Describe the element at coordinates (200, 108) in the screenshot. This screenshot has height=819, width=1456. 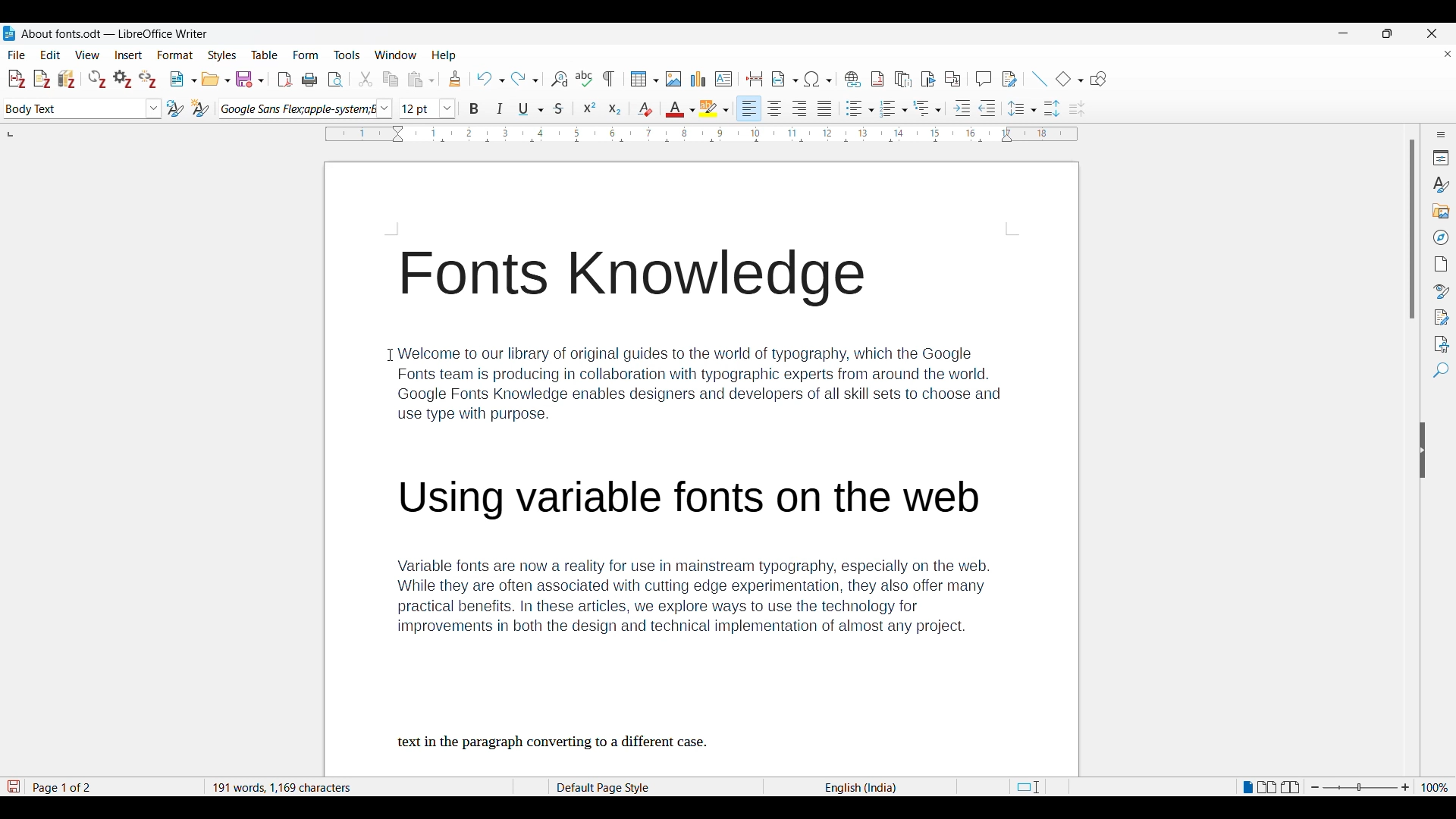
I see `New style from selection` at that location.